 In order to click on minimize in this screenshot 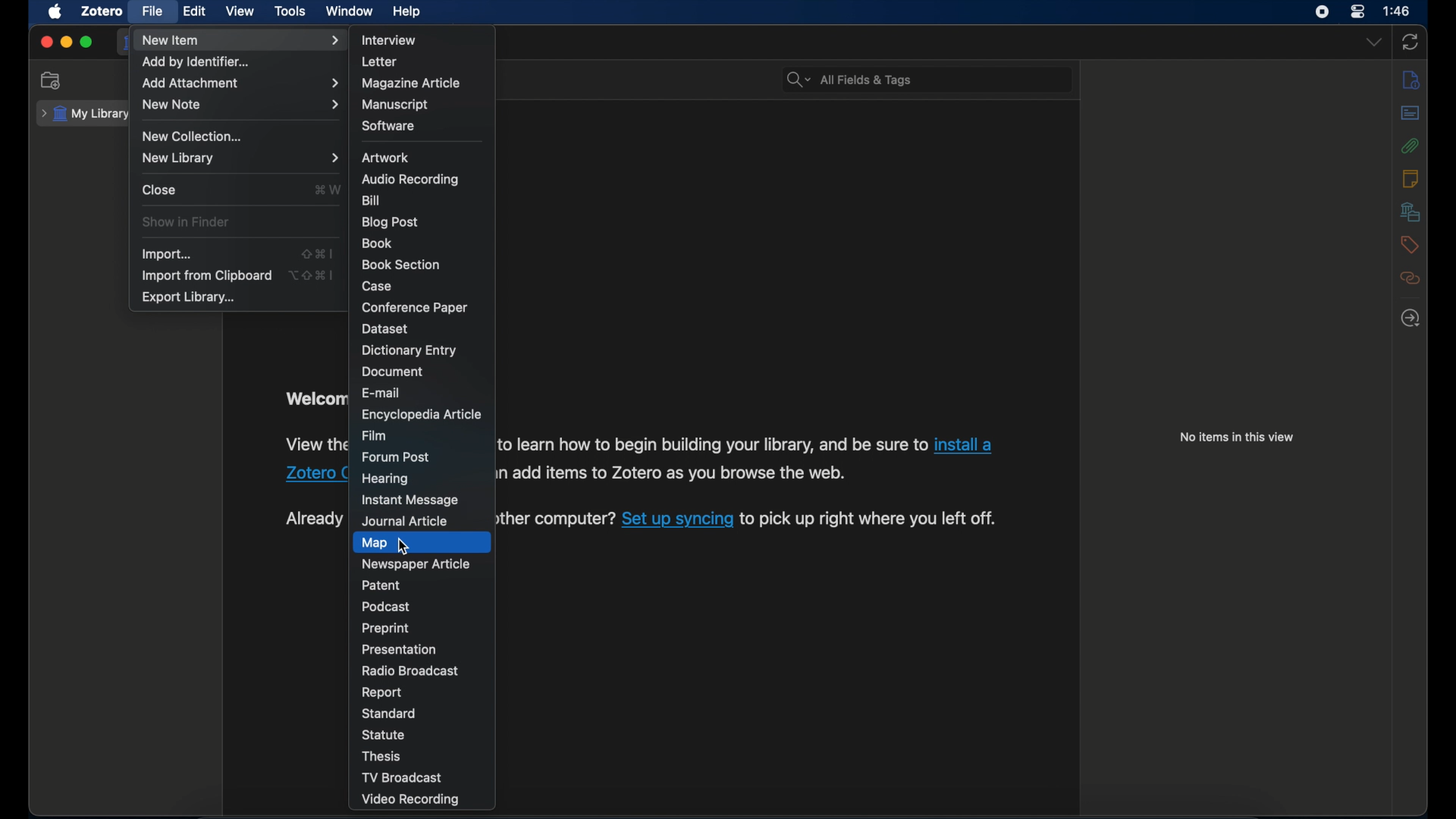, I will do `click(65, 42)`.